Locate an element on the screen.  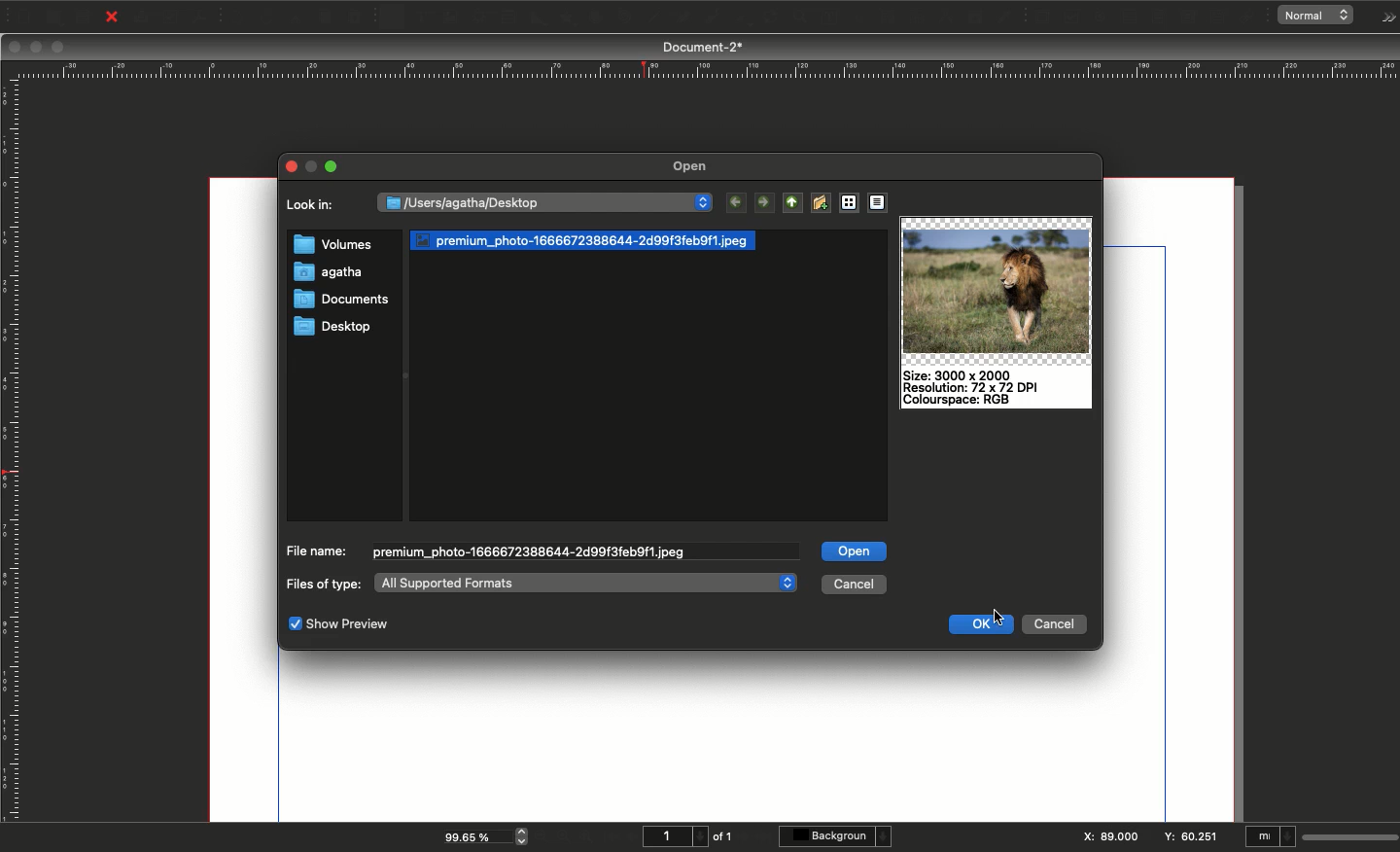
Previous is located at coordinates (740, 204).